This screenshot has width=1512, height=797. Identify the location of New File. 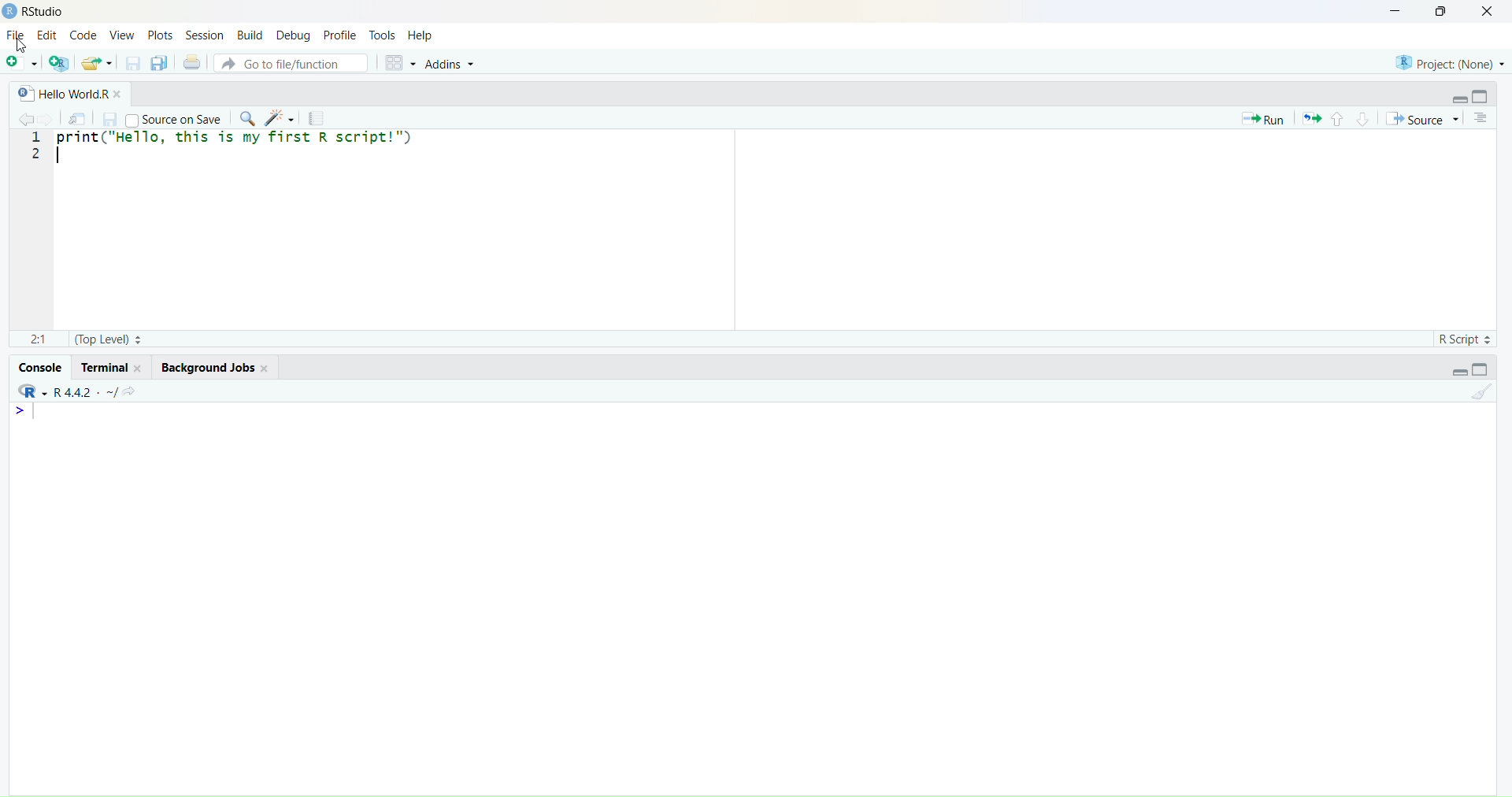
(20, 65).